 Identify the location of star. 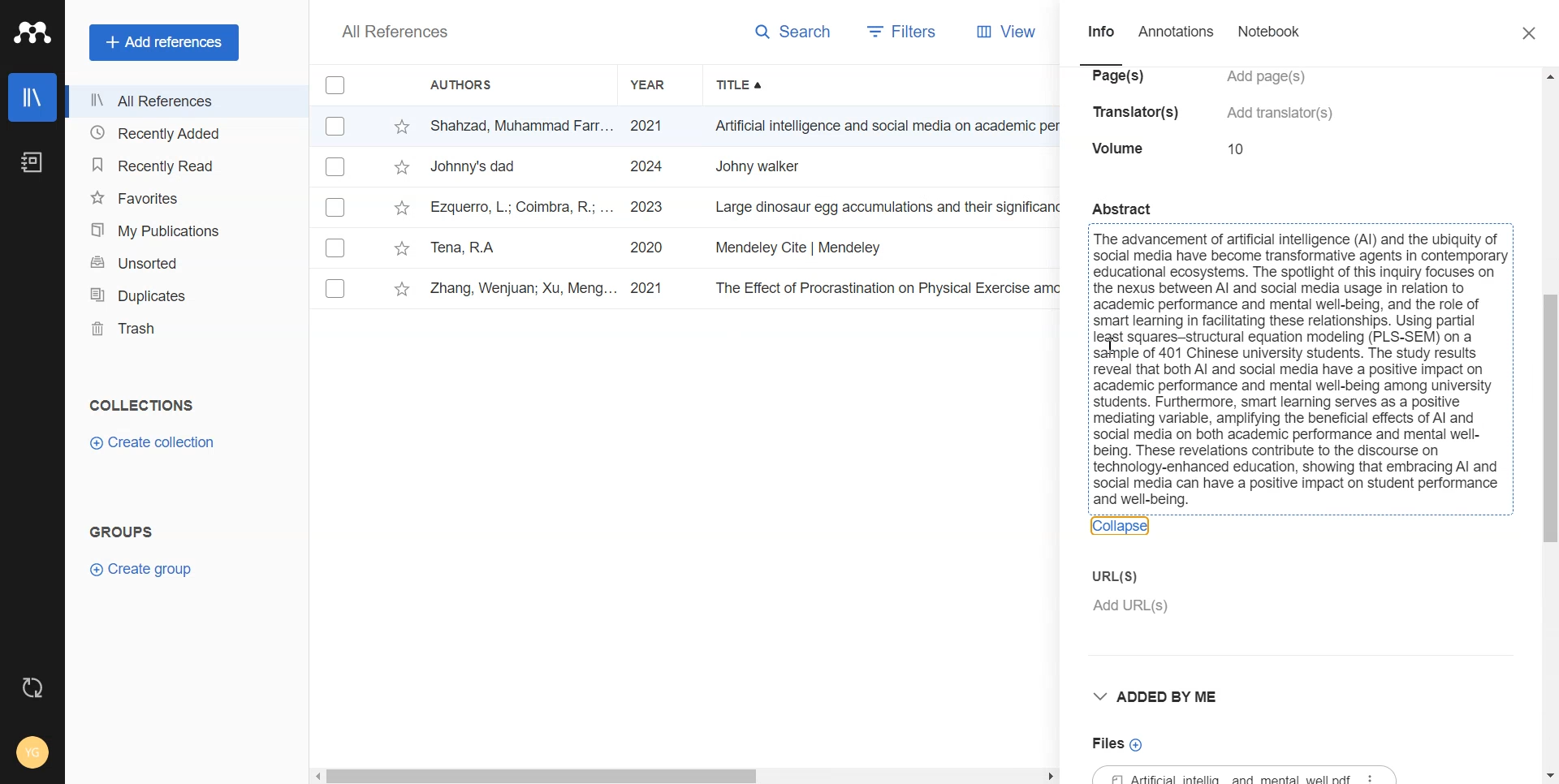
(403, 248).